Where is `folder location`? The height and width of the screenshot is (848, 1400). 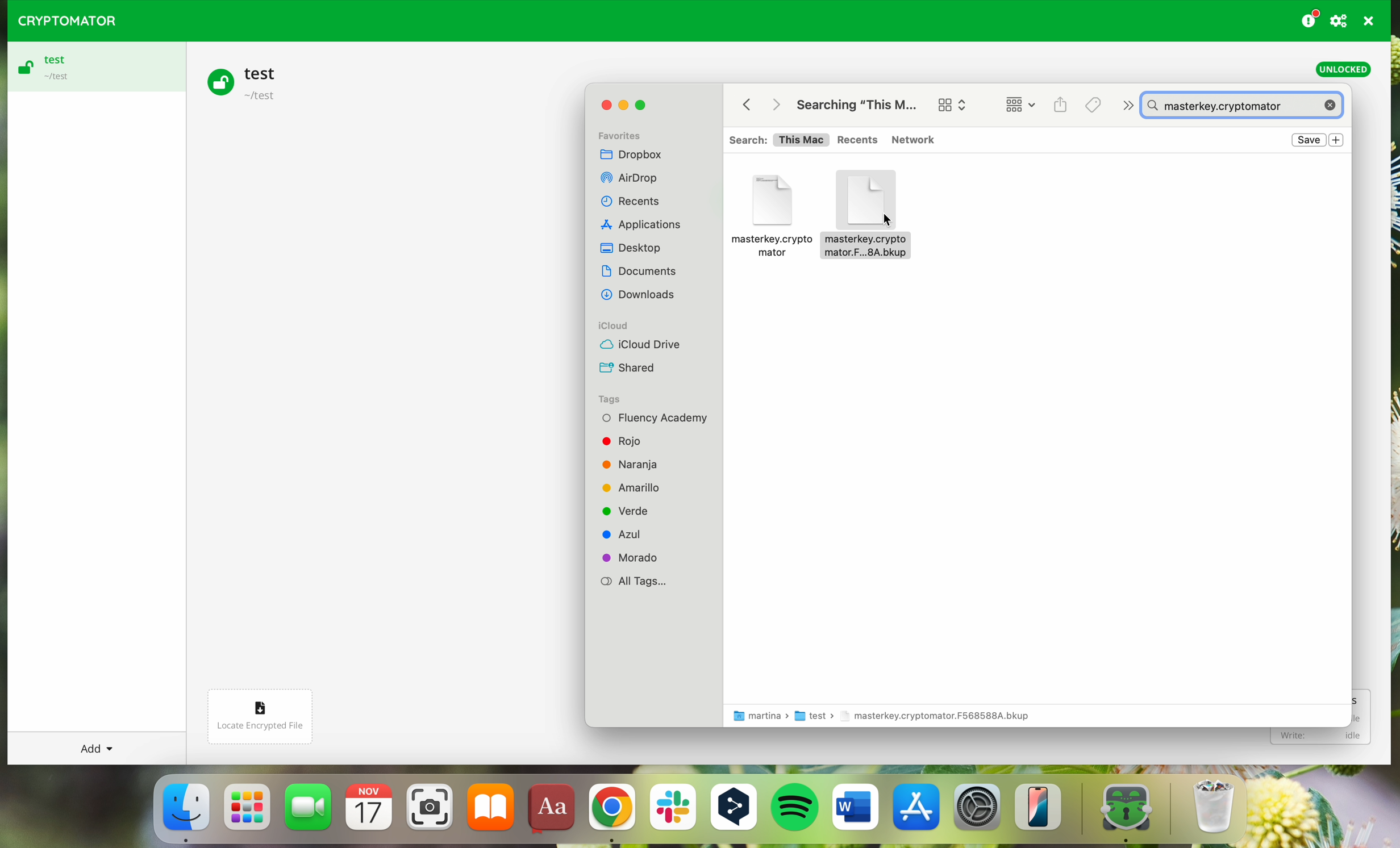
folder location is located at coordinates (888, 717).